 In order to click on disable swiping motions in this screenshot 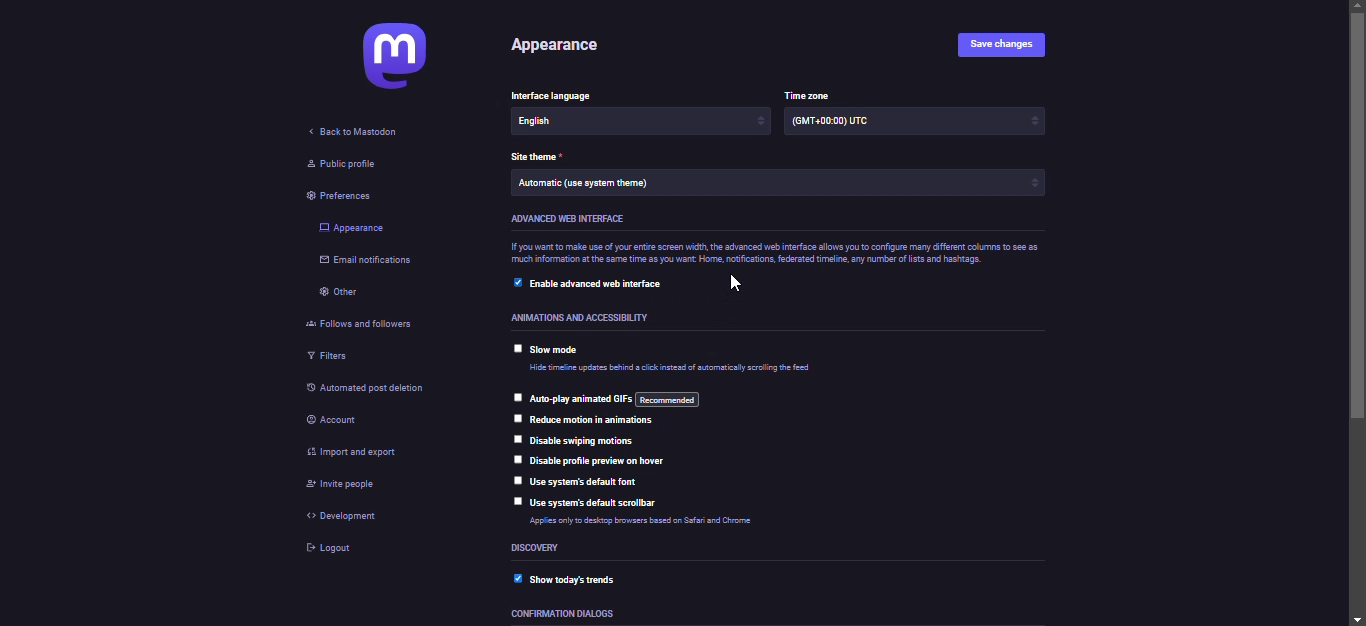, I will do `click(584, 441)`.